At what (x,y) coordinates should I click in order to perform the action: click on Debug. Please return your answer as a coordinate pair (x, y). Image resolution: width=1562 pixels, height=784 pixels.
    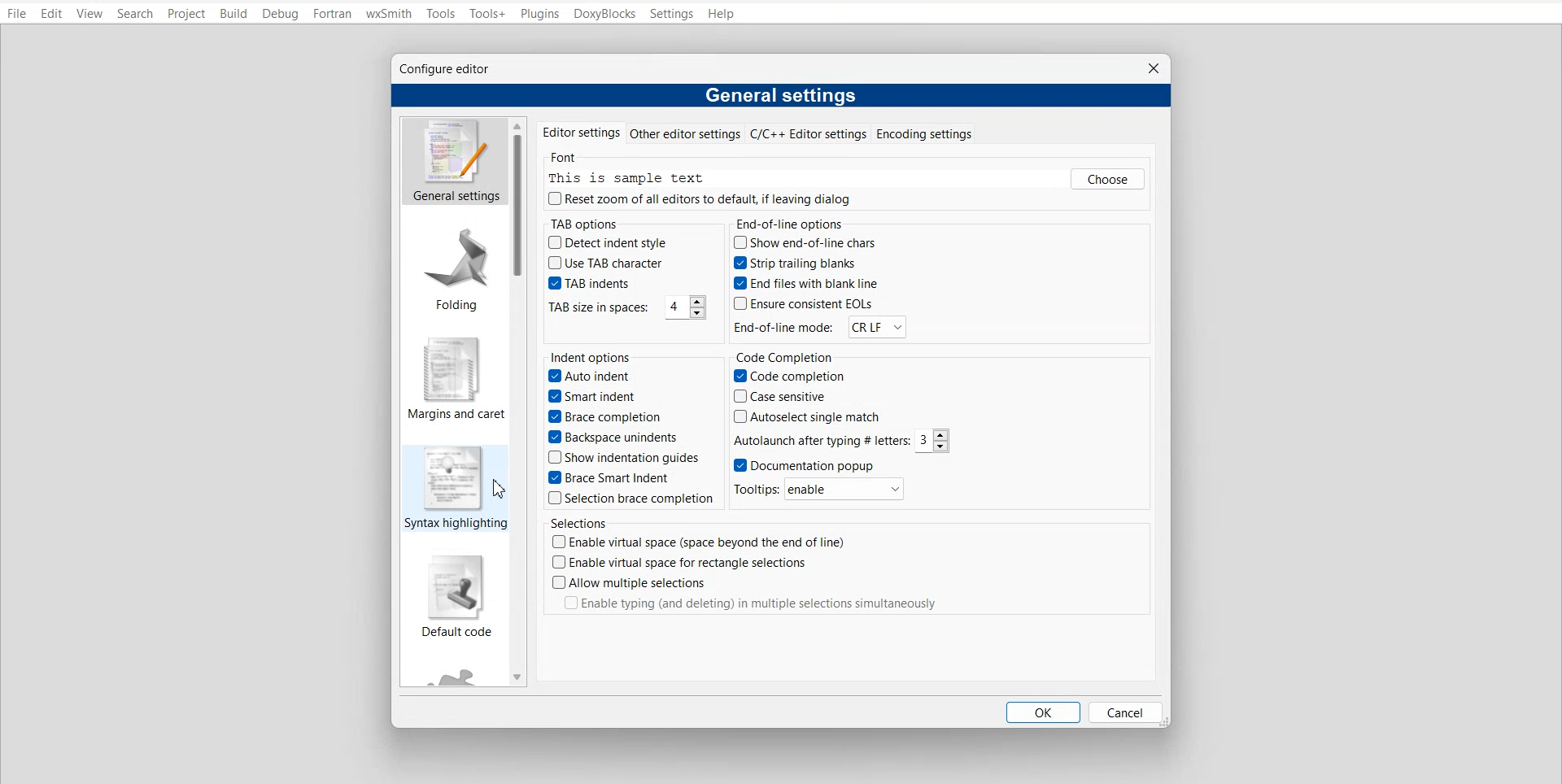
    Looking at the image, I should click on (281, 14).